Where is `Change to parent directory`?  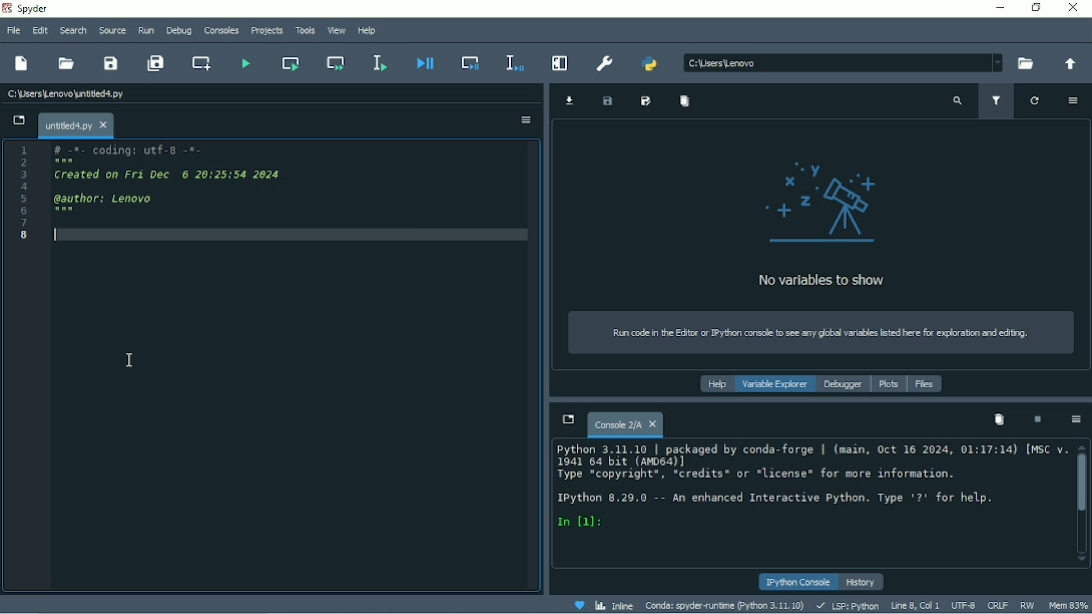 Change to parent directory is located at coordinates (1069, 64).